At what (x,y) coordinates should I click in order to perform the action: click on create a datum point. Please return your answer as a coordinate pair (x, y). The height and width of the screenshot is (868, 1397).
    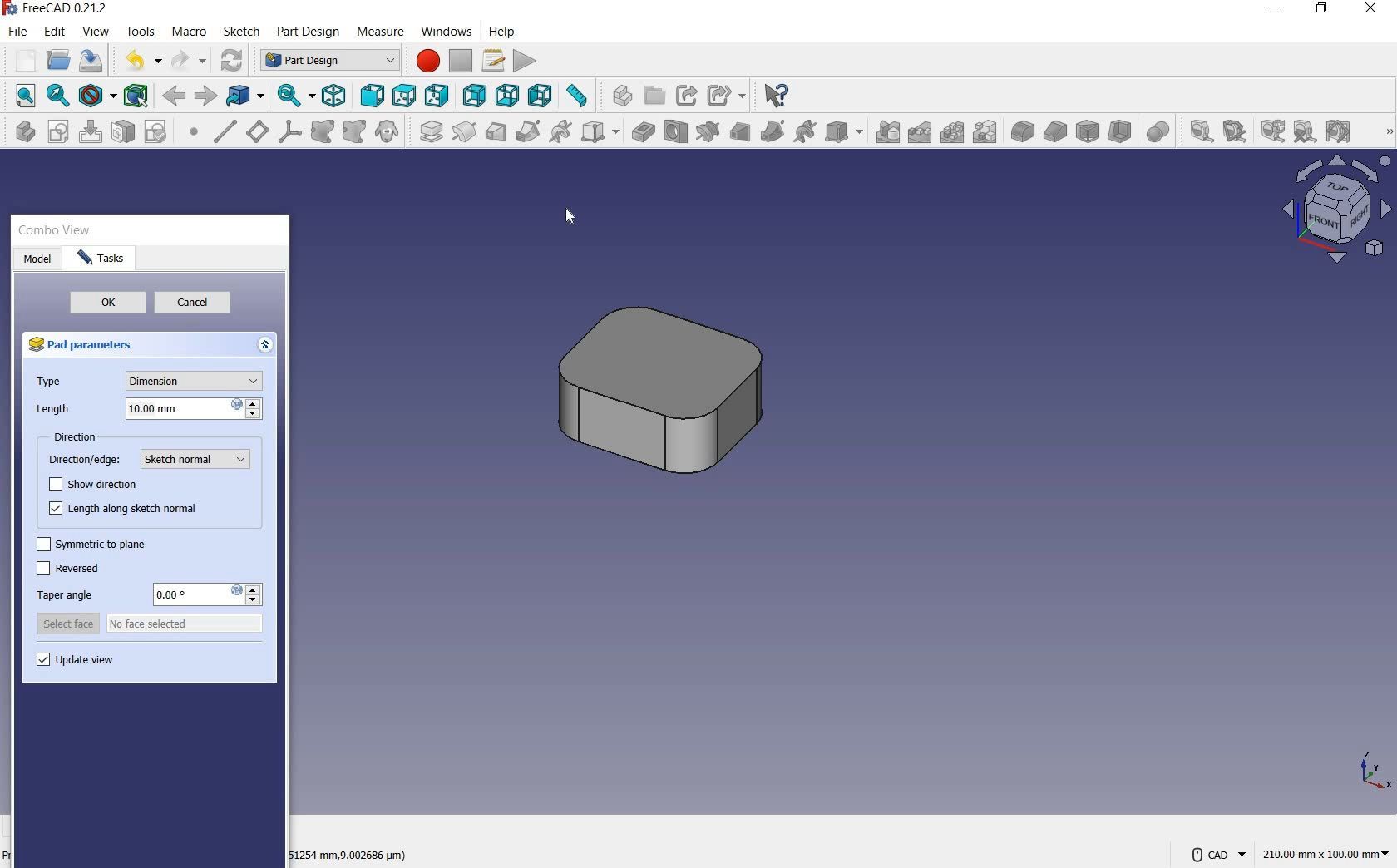
    Looking at the image, I should click on (195, 133).